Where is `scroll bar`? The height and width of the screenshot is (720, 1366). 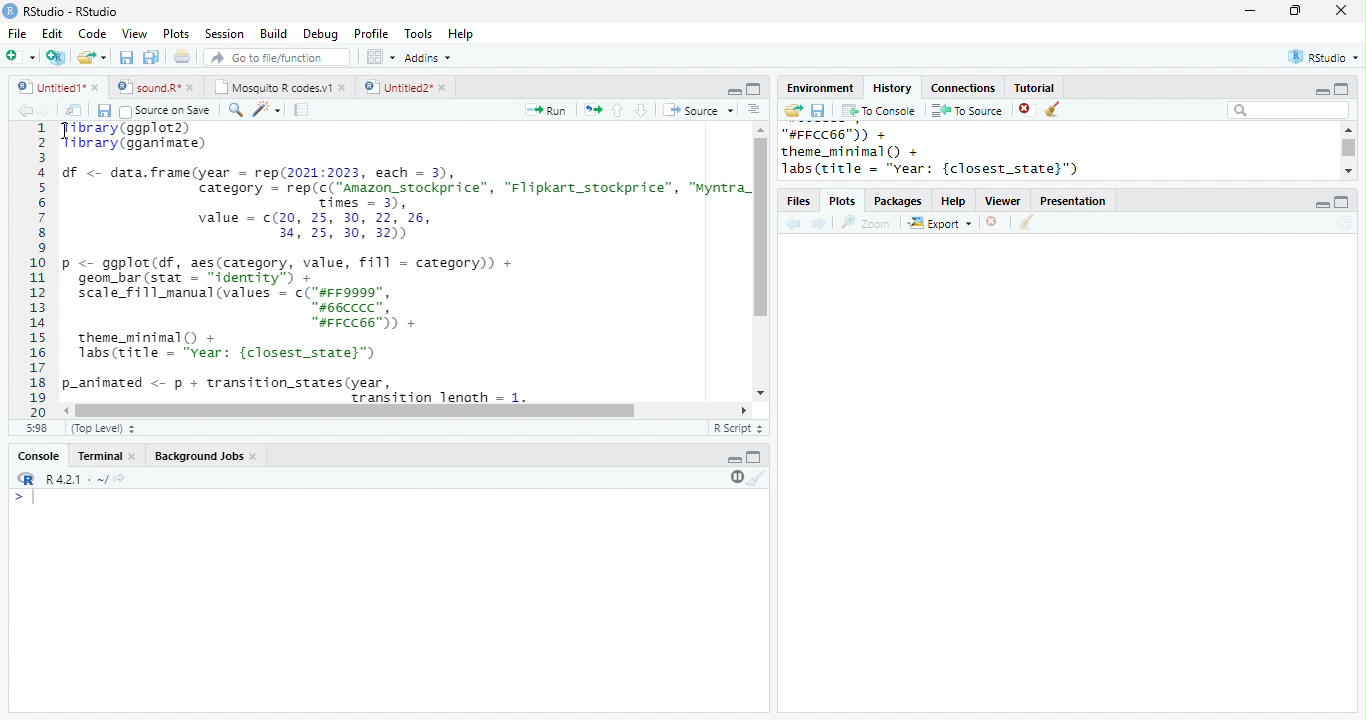 scroll bar is located at coordinates (356, 411).